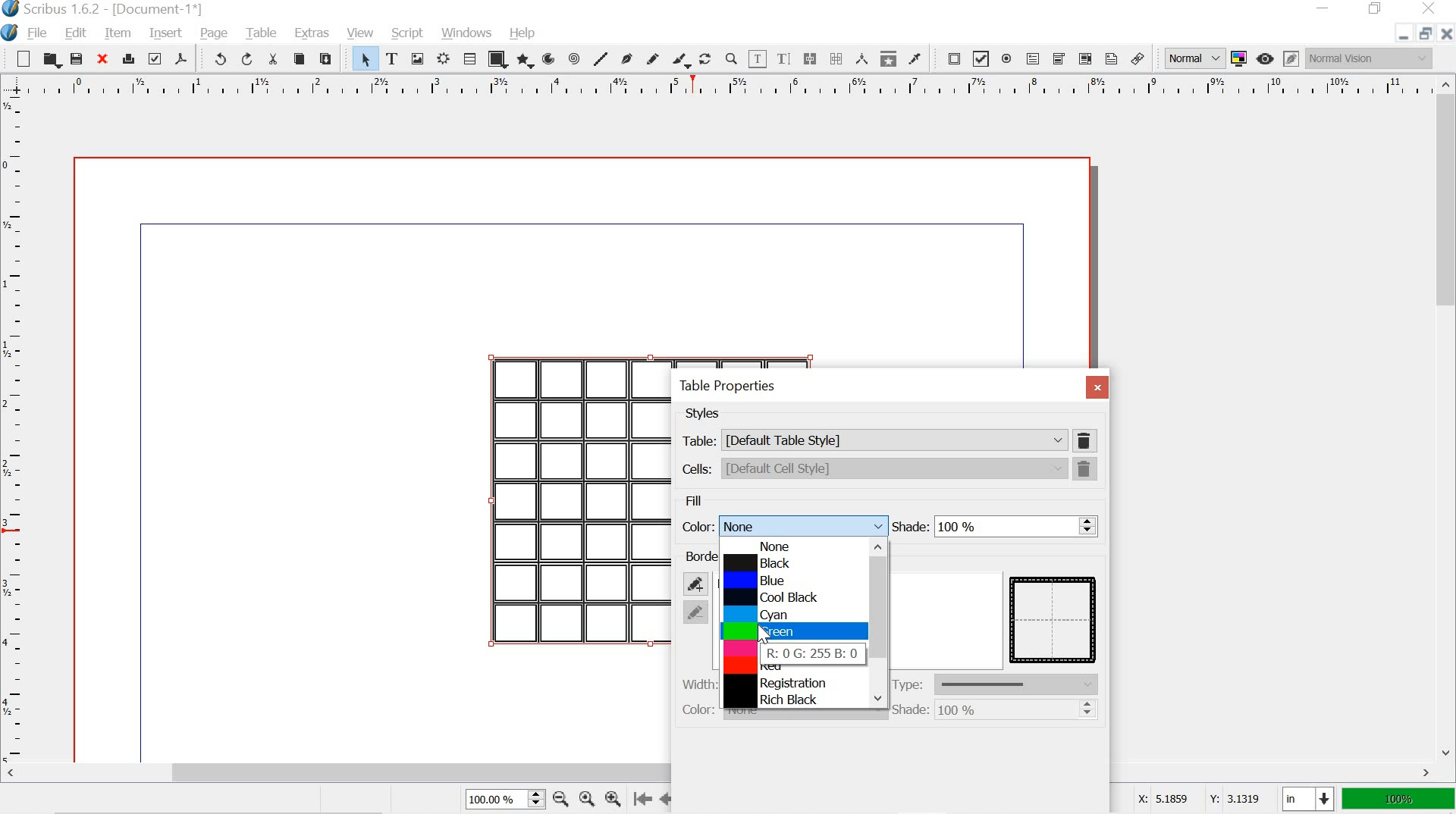 This screenshot has width=1456, height=814. Describe the element at coordinates (939, 711) in the screenshot. I see `shade: 100%` at that location.